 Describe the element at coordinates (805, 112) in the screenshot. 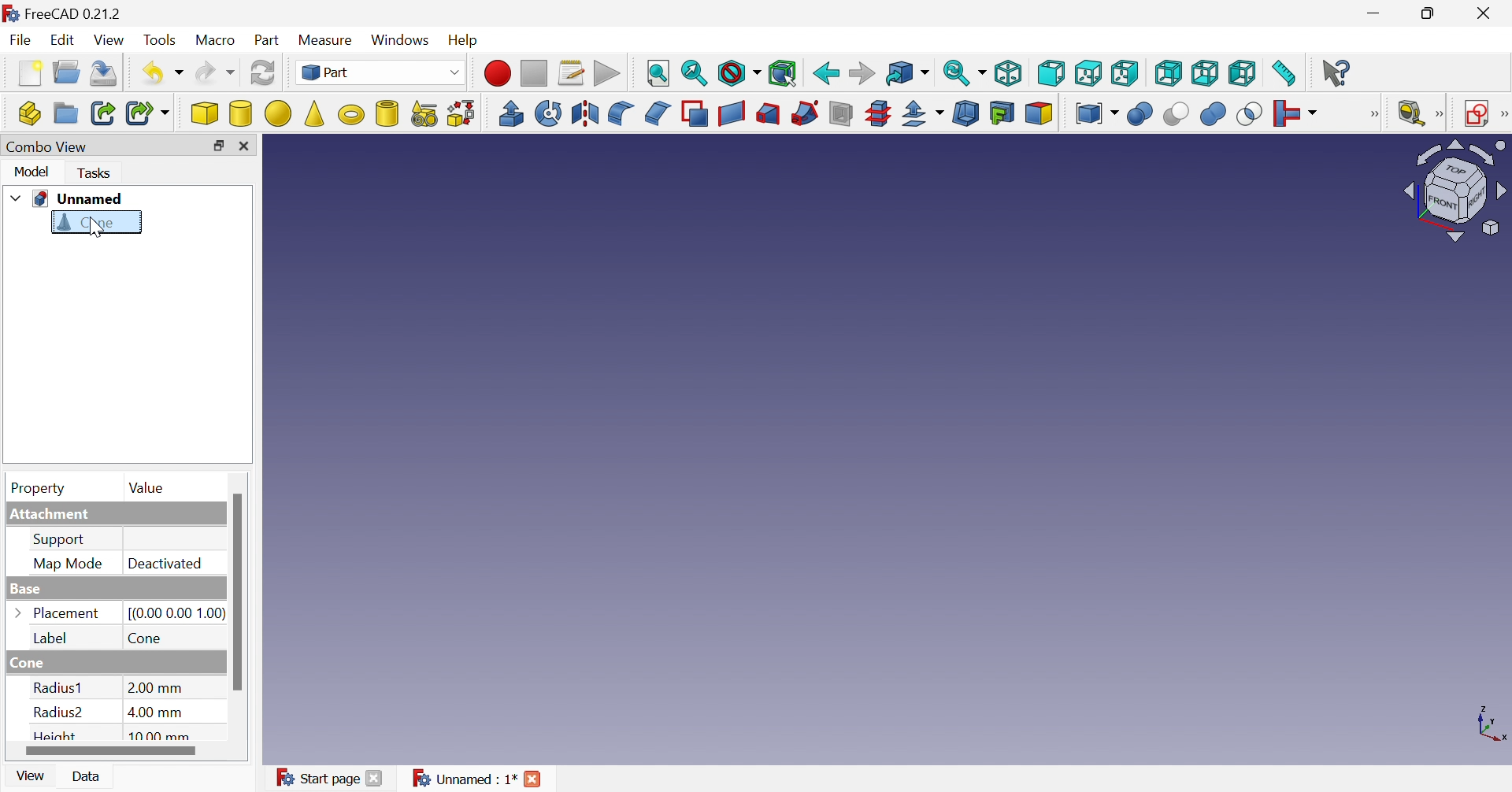

I see `Sweep` at that location.